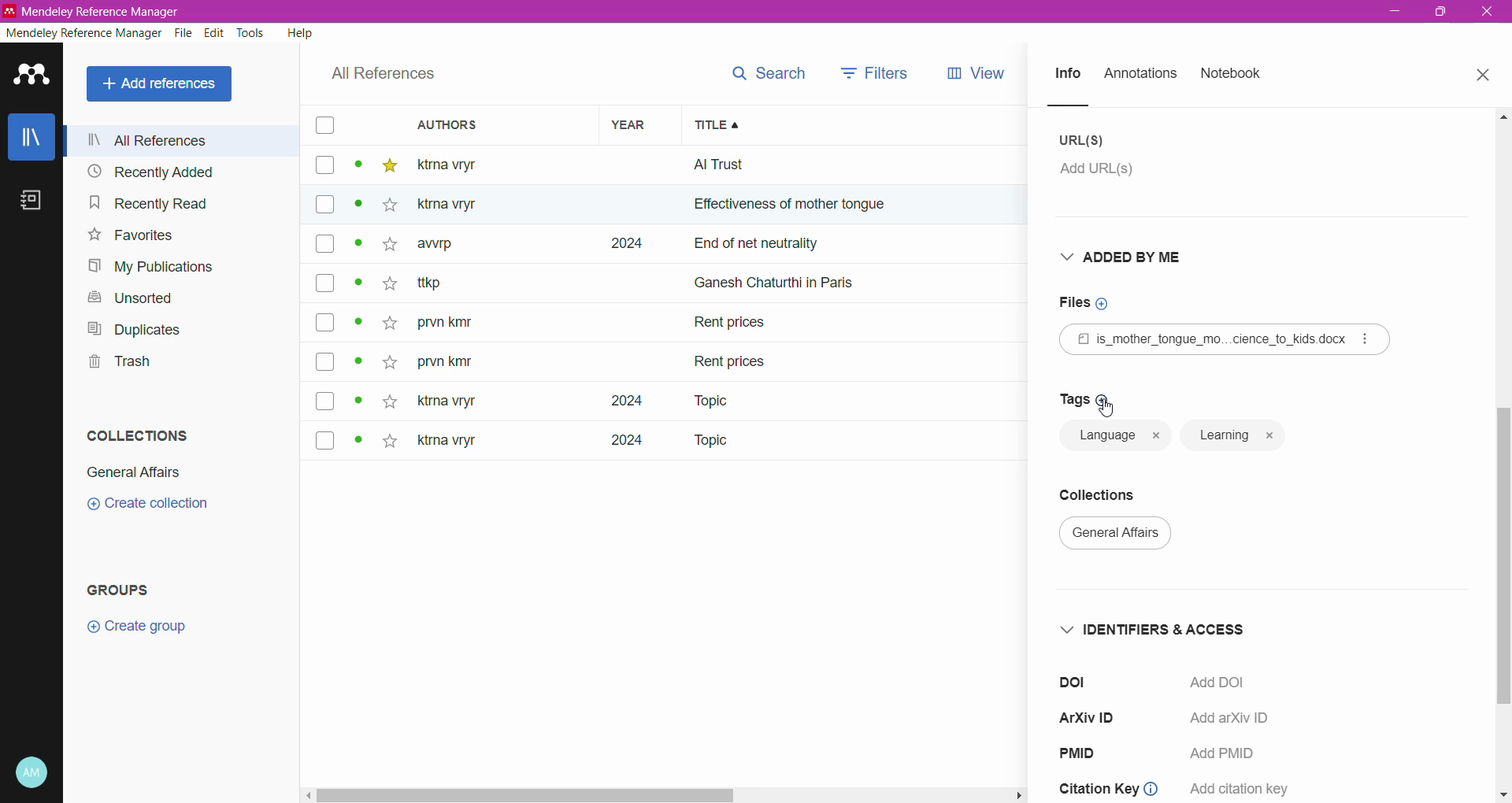 Image resolution: width=1512 pixels, height=803 pixels. I want to click on search, so click(766, 73).